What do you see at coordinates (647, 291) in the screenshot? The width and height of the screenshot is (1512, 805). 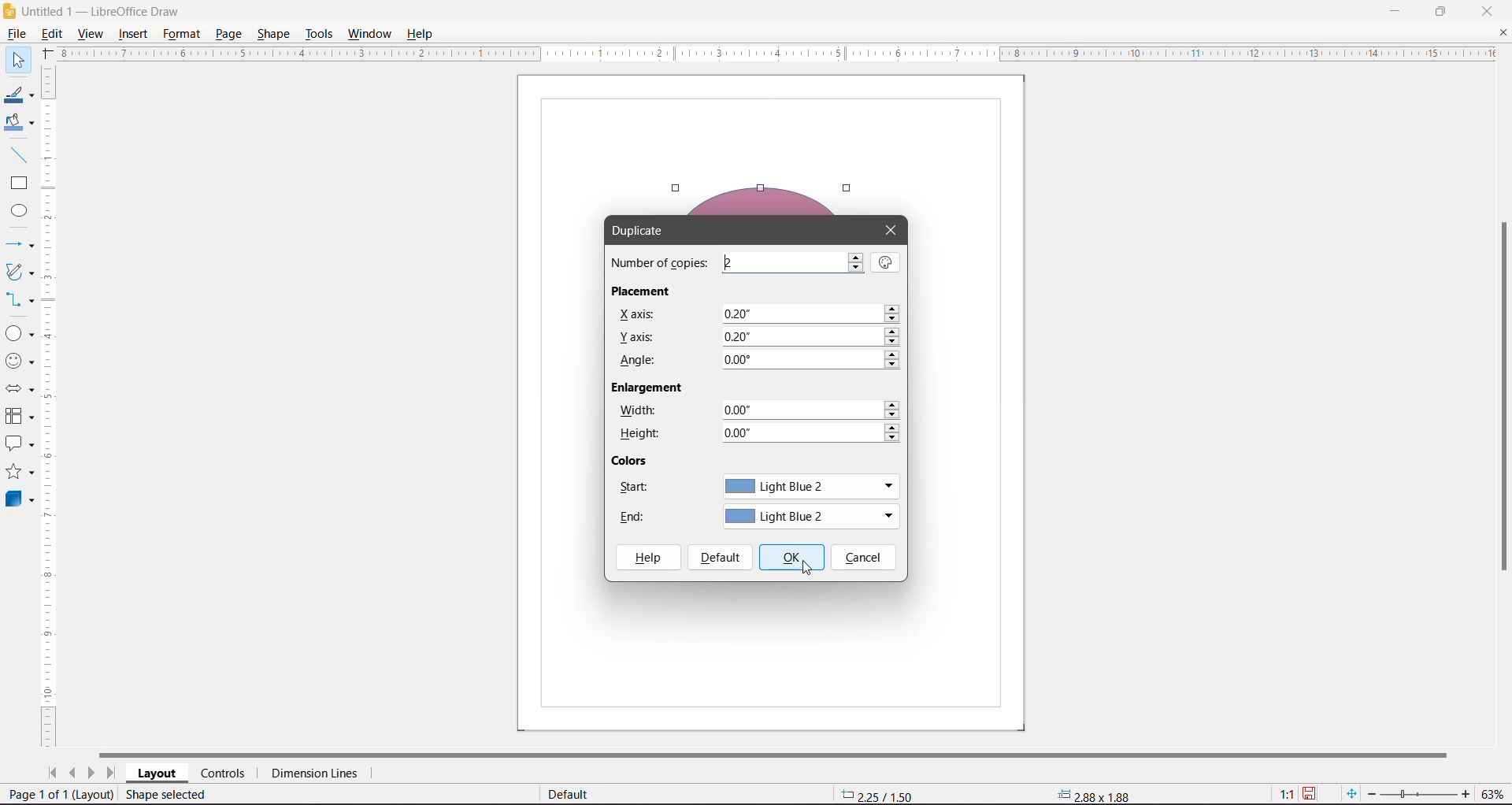 I see `Placement` at bounding box center [647, 291].